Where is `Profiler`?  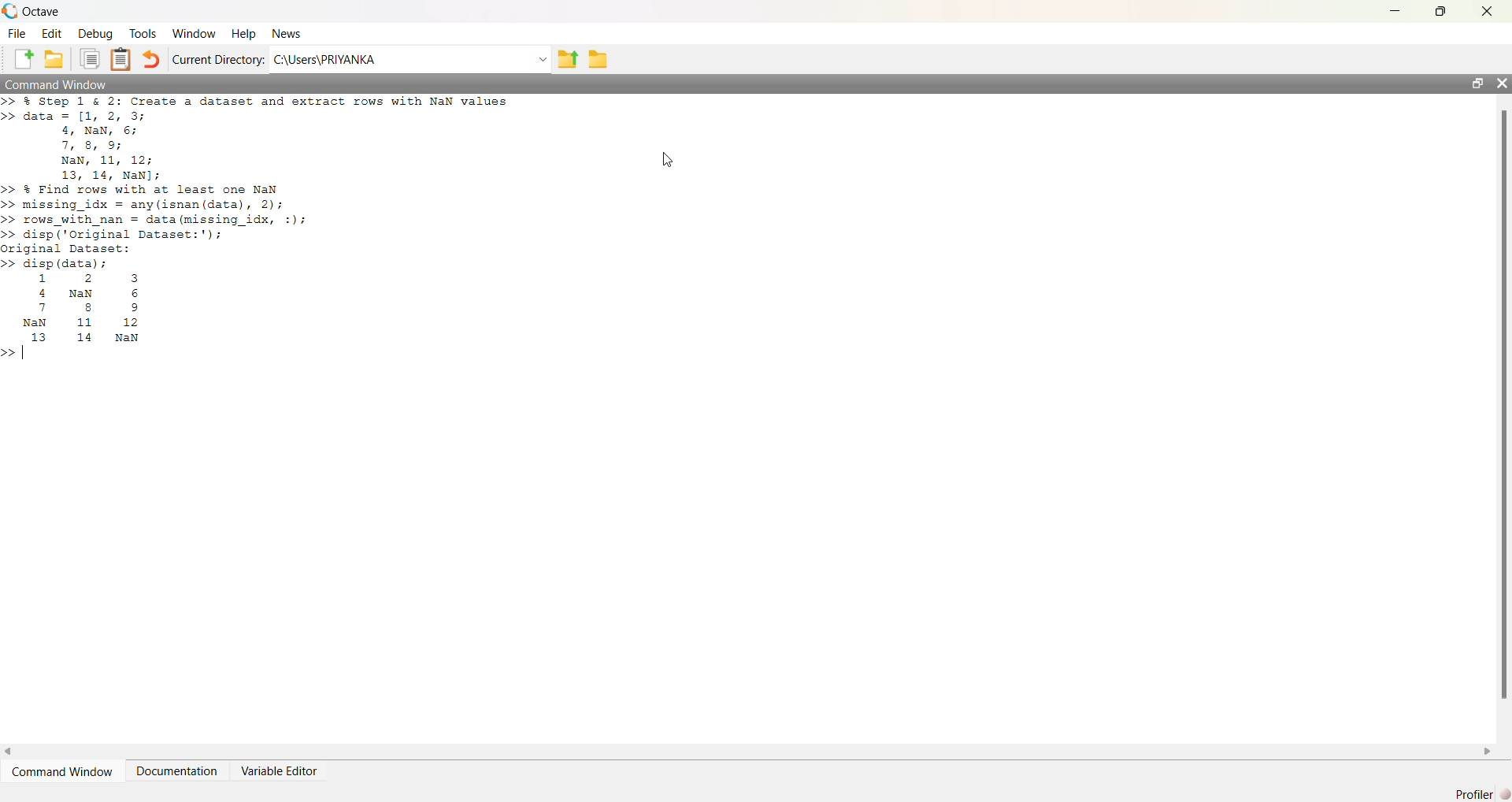
Profiler is located at coordinates (1482, 794).